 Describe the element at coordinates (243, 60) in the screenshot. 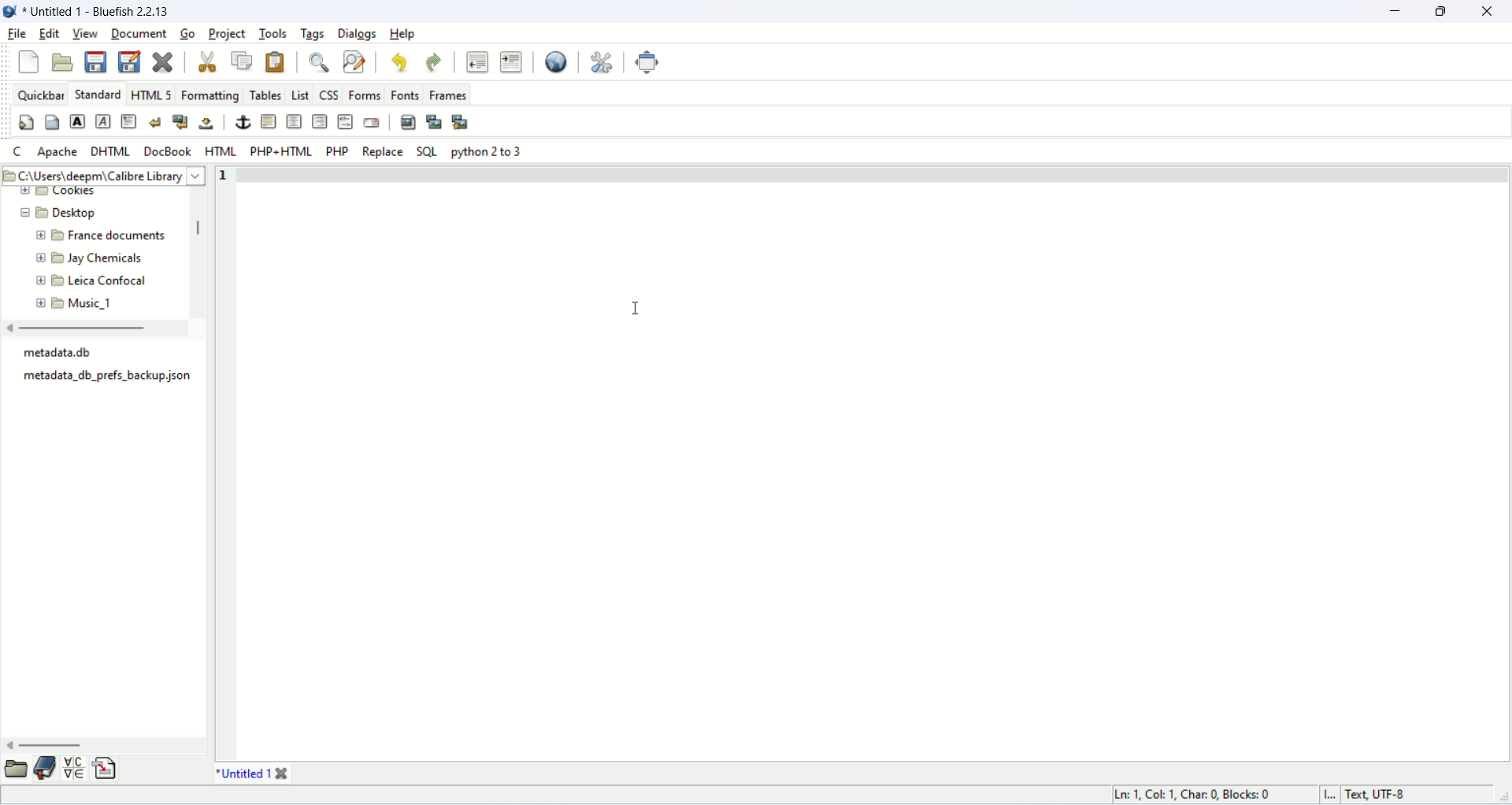

I see `copy` at that location.